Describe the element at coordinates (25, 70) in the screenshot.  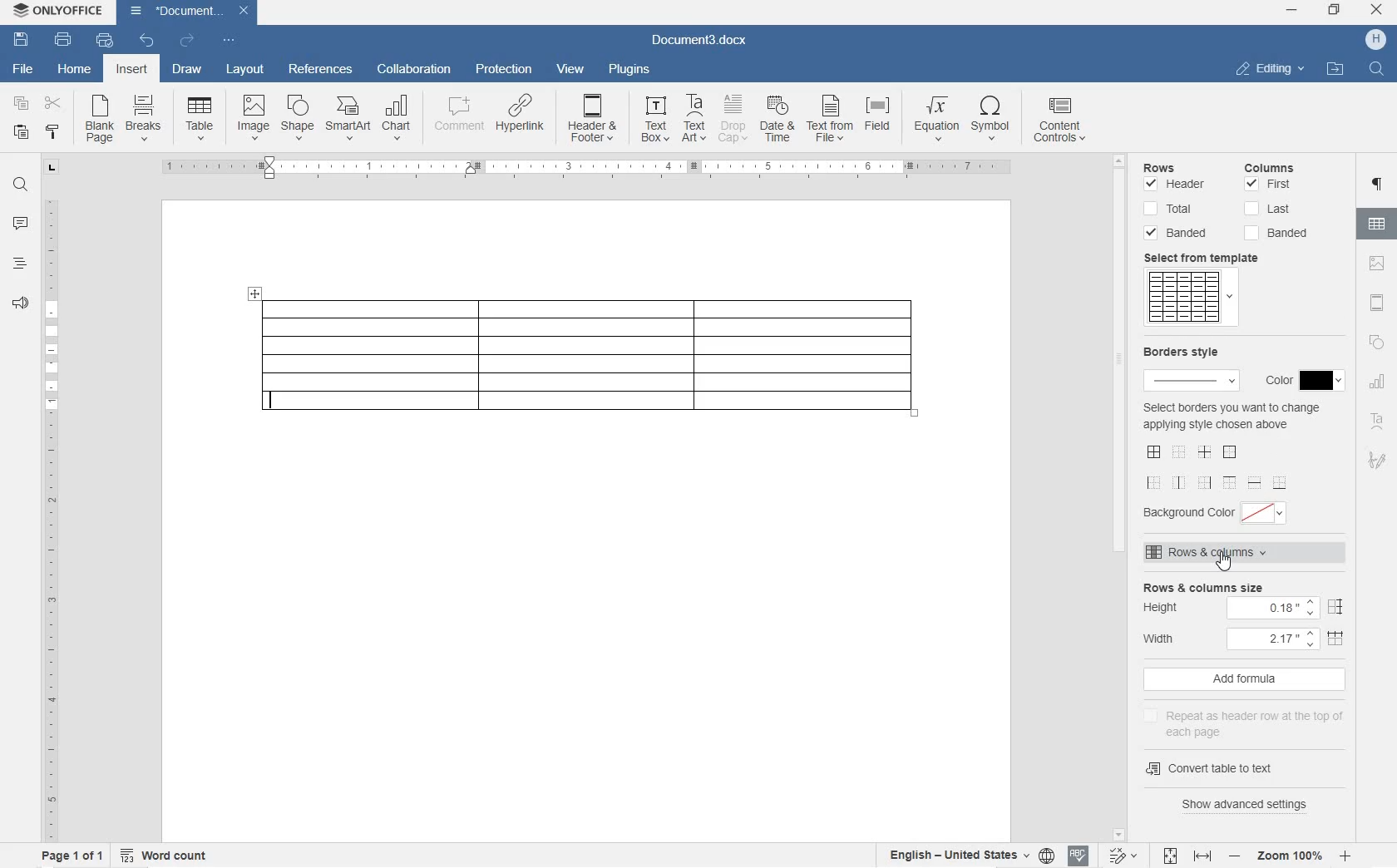
I see `FILE` at that location.